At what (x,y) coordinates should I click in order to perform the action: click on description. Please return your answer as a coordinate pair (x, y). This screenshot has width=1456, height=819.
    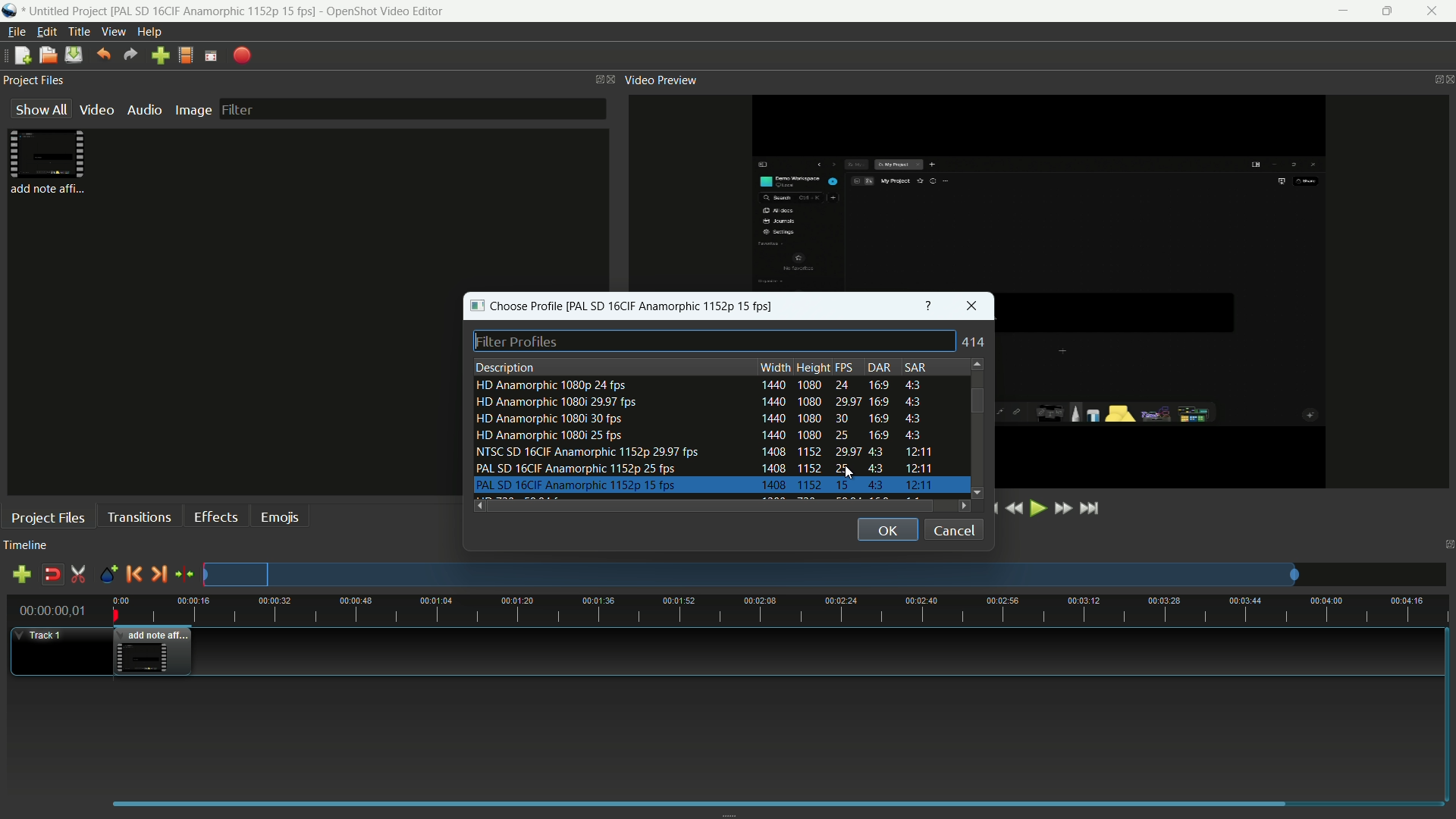
    Looking at the image, I should click on (506, 366).